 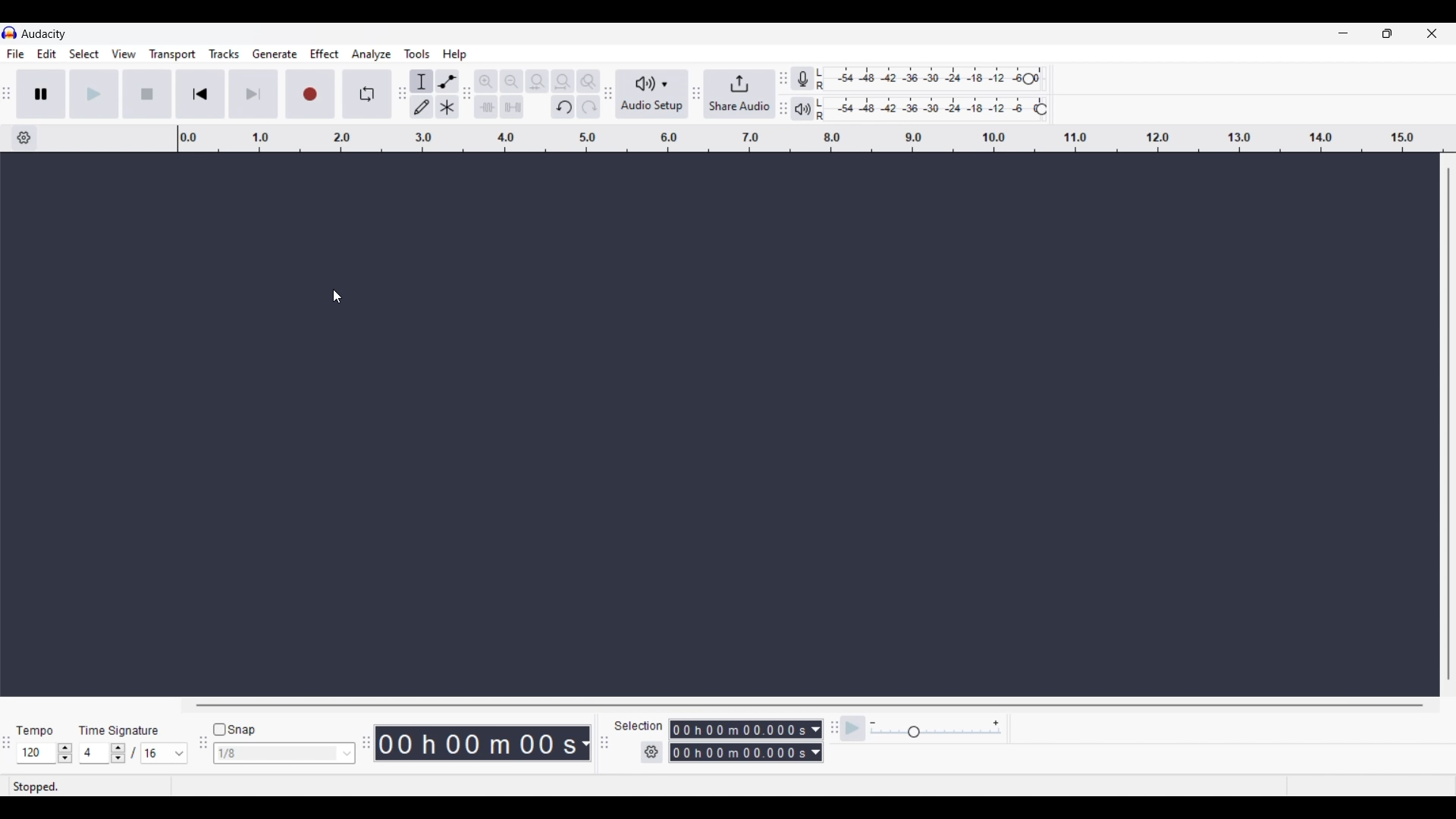 What do you see at coordinates (588, 106) in the screenshot?
I see `Redo` at bounding box center [588, 106].